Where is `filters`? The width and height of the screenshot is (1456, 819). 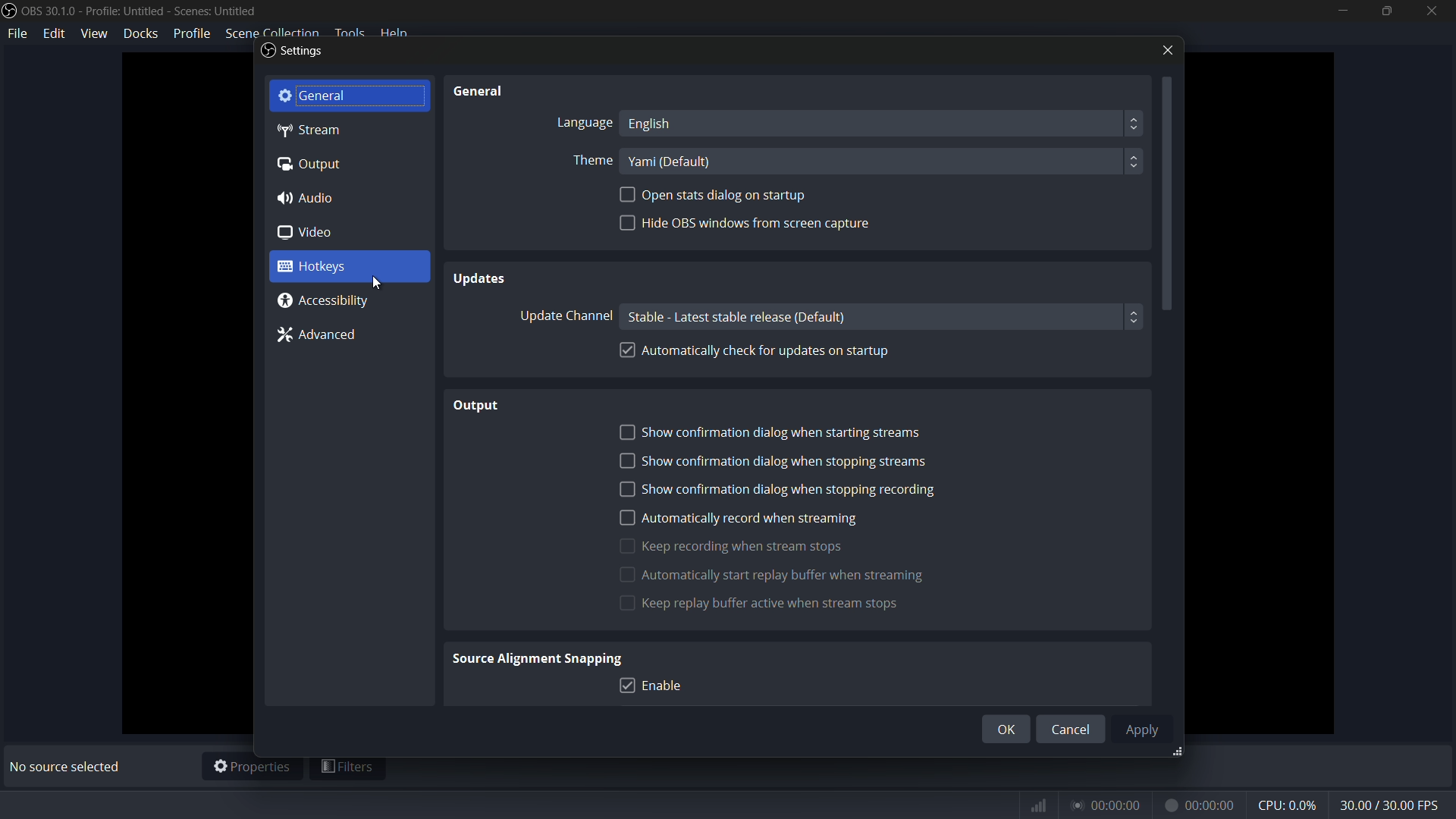
filters is located at coordinates (348, 769).